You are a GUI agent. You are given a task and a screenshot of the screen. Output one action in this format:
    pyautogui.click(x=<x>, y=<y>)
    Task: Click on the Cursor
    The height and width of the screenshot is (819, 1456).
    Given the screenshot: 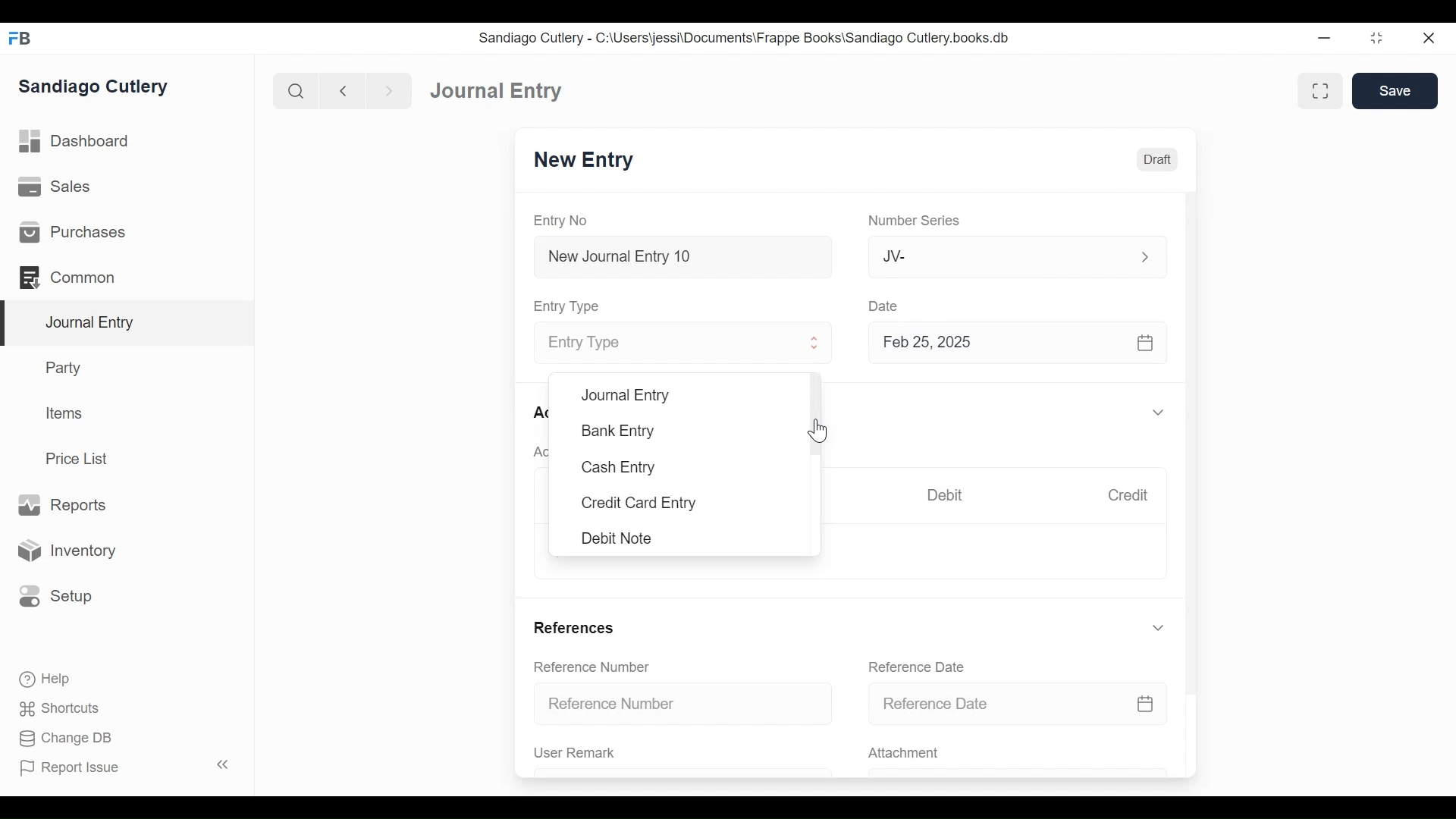 What is the action you would take?
    pyautogui.click(x=817, y=428)
    